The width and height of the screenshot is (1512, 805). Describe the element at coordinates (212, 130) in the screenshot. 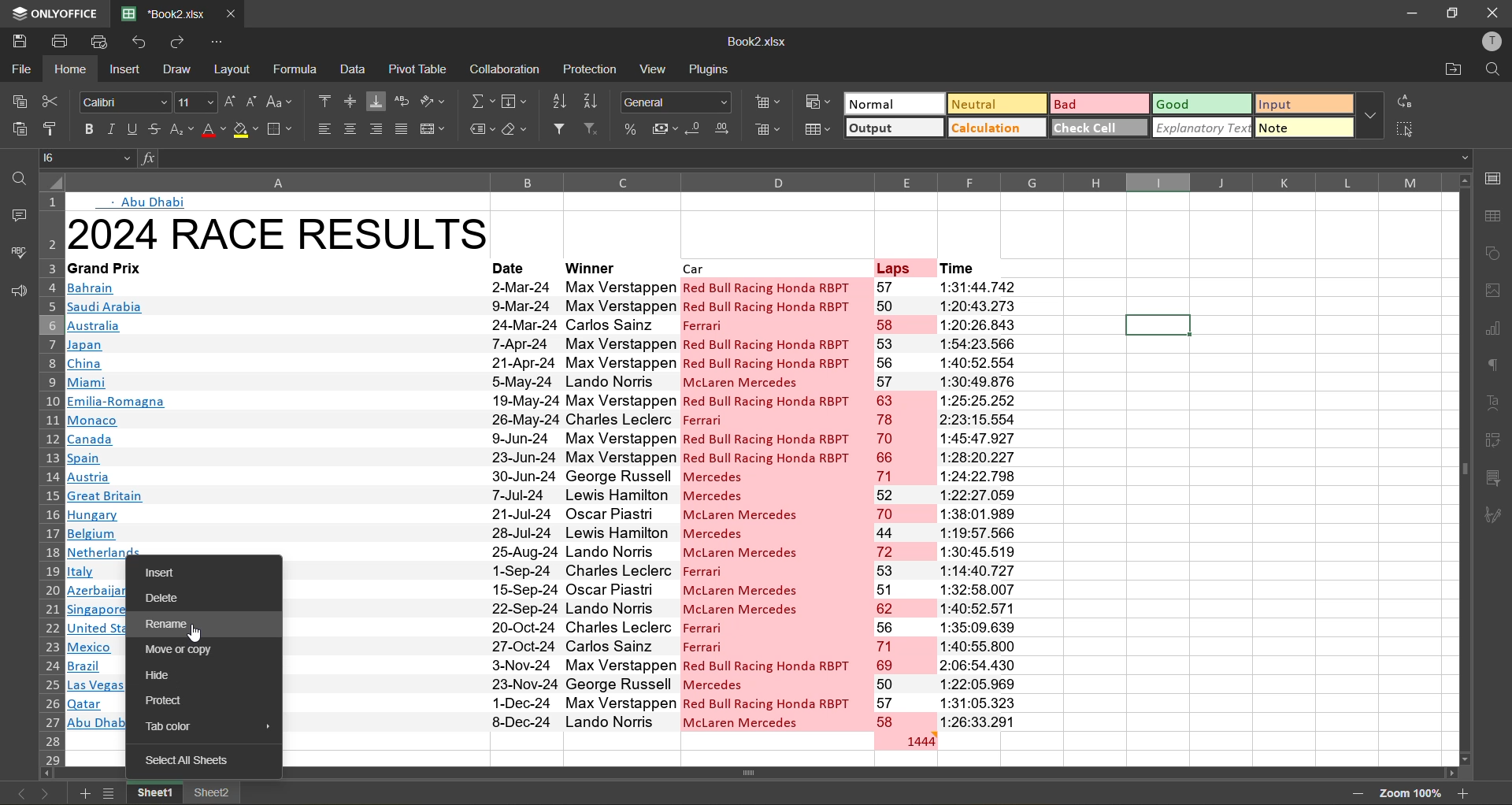

I see `font color` at that location.